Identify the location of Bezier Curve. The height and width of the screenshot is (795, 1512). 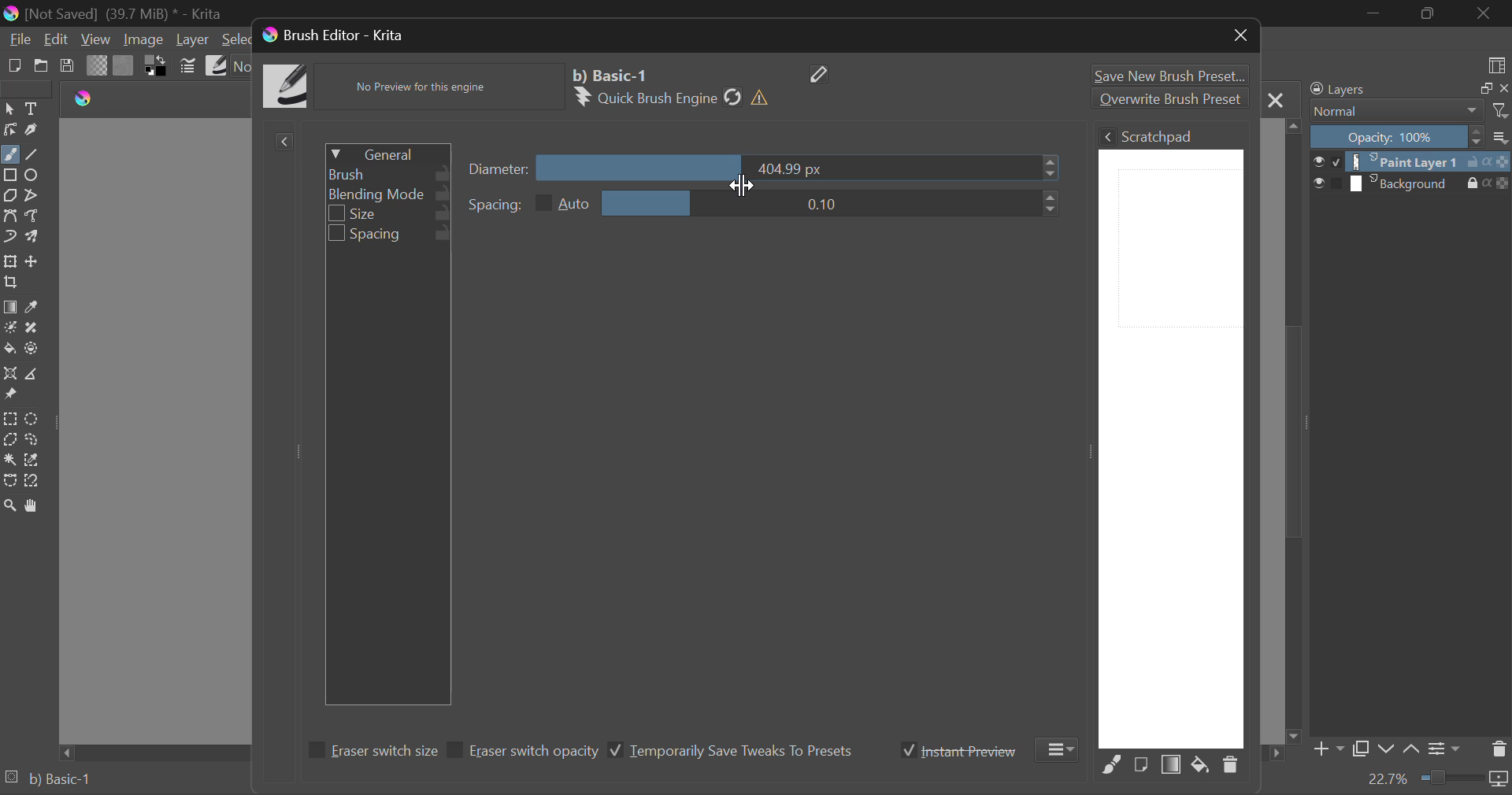
(13, 216).